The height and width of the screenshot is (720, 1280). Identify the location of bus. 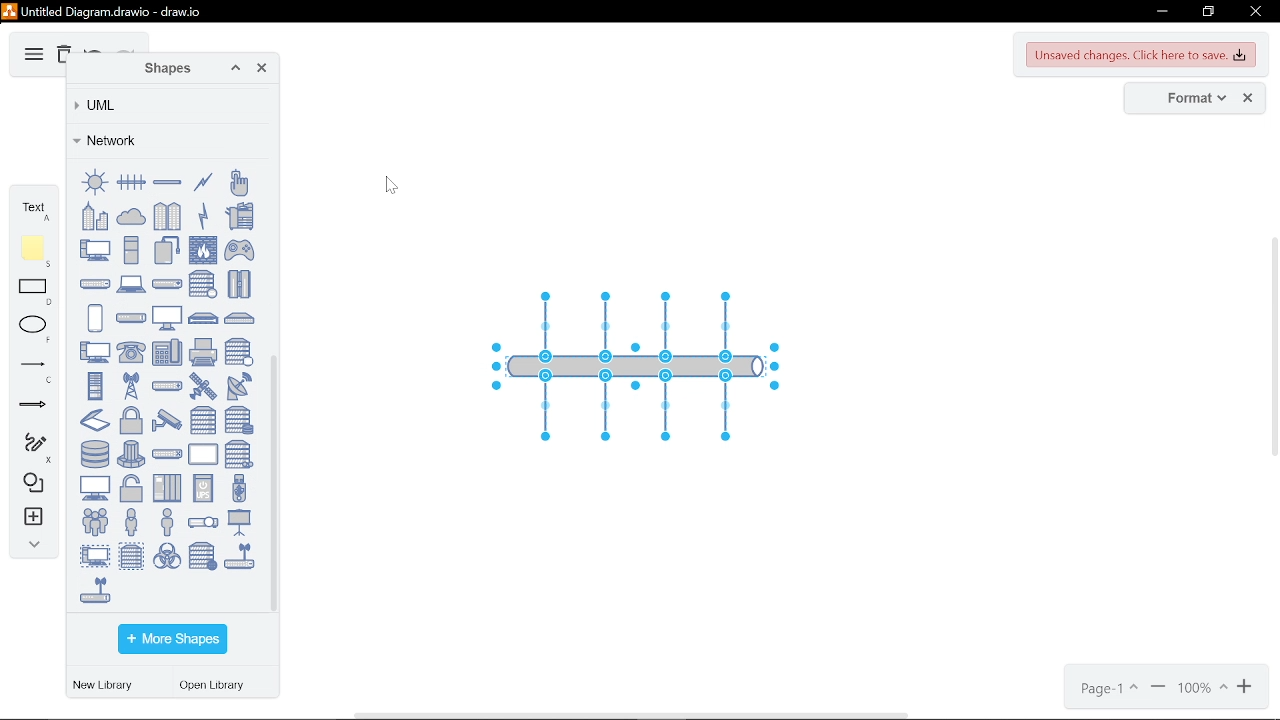
(167, 182).